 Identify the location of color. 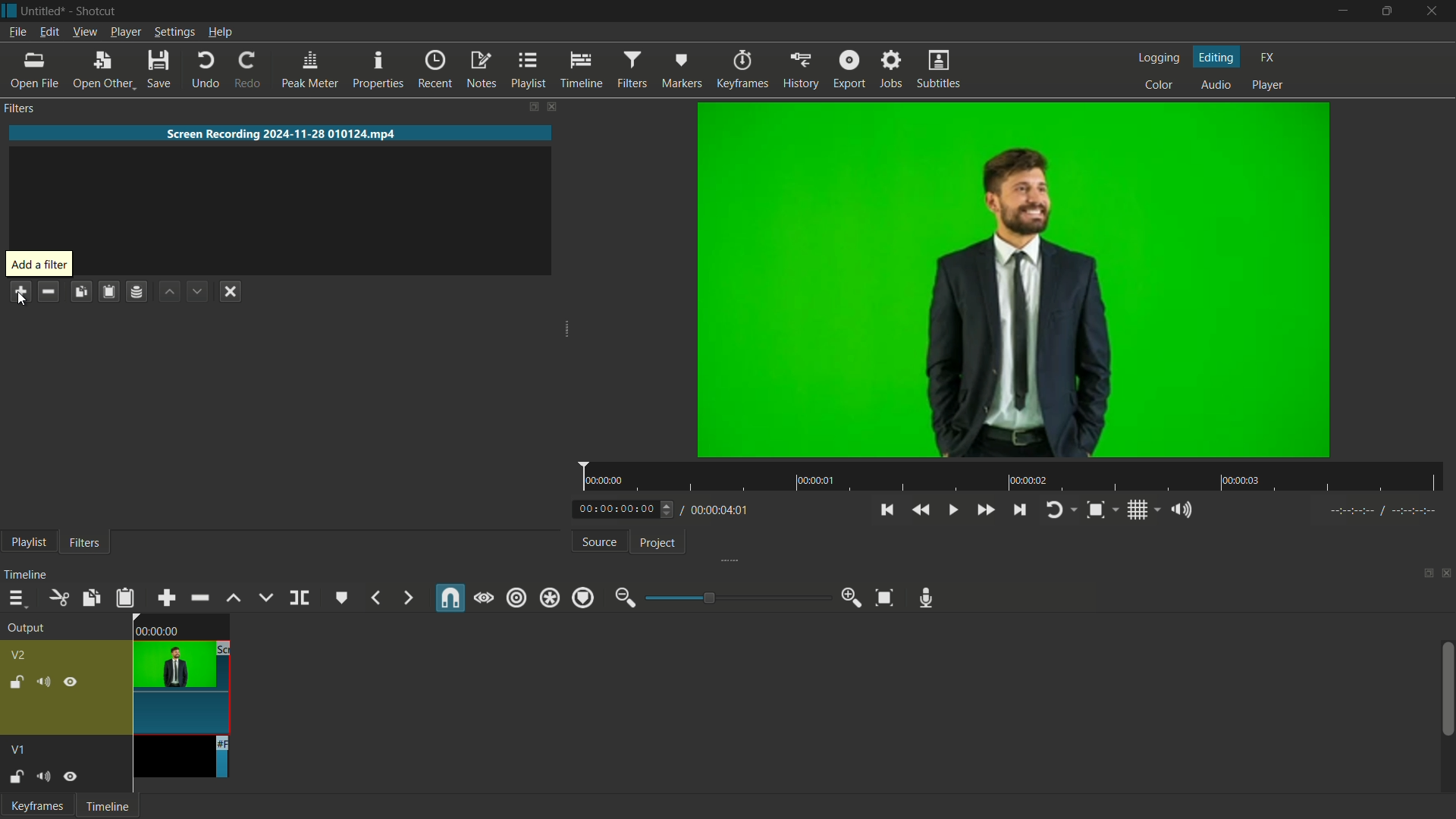
(1158, 86).